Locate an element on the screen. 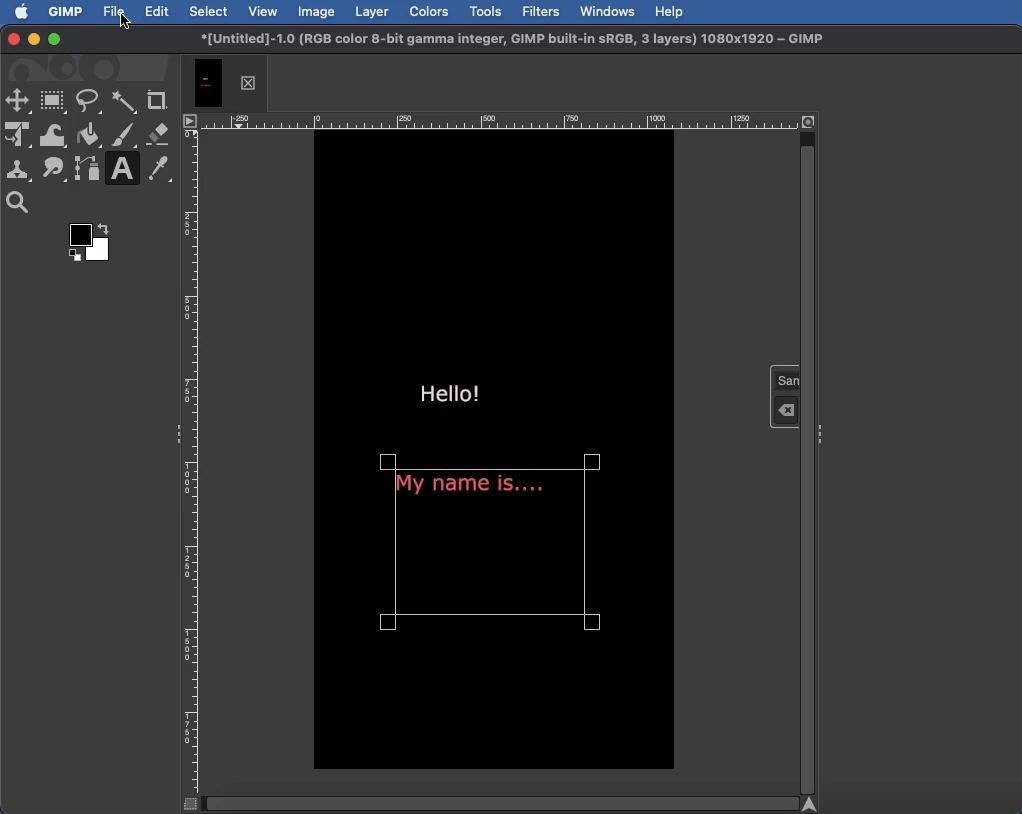 Image resolution: width=1022 pixels, height=814 pixels. Fill color is located at coordinates (88, 134).